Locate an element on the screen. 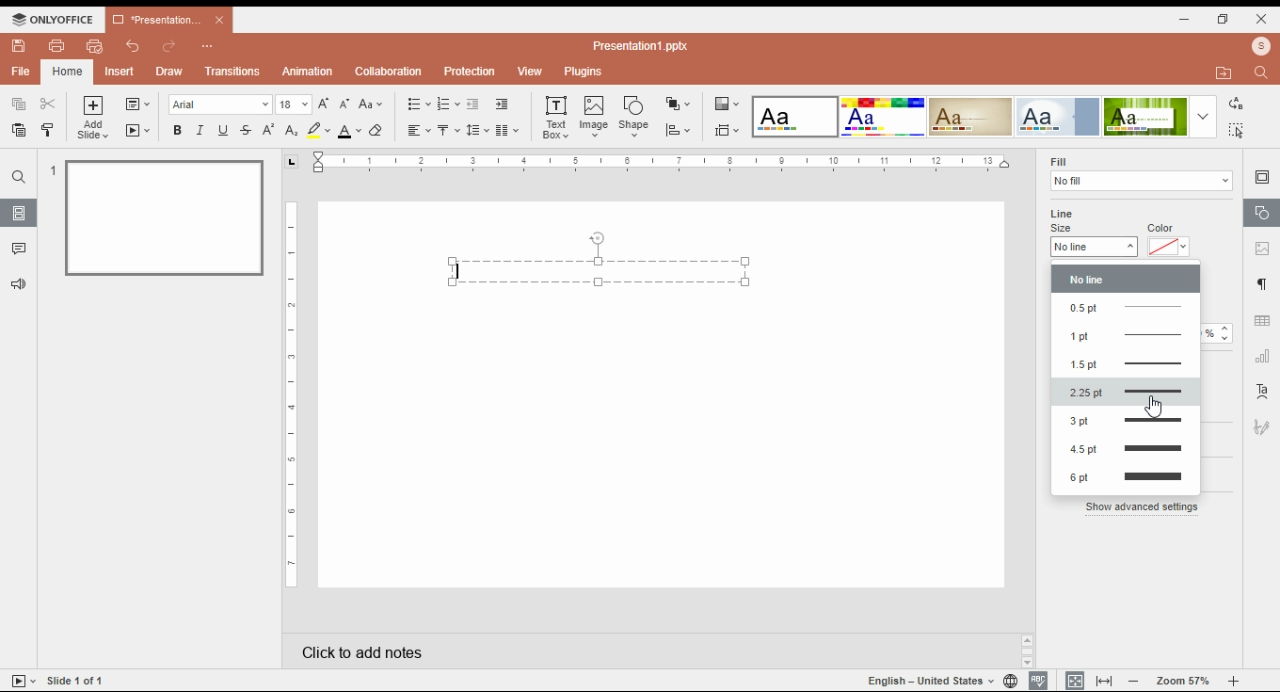  close is located at coordinates (220, 20).